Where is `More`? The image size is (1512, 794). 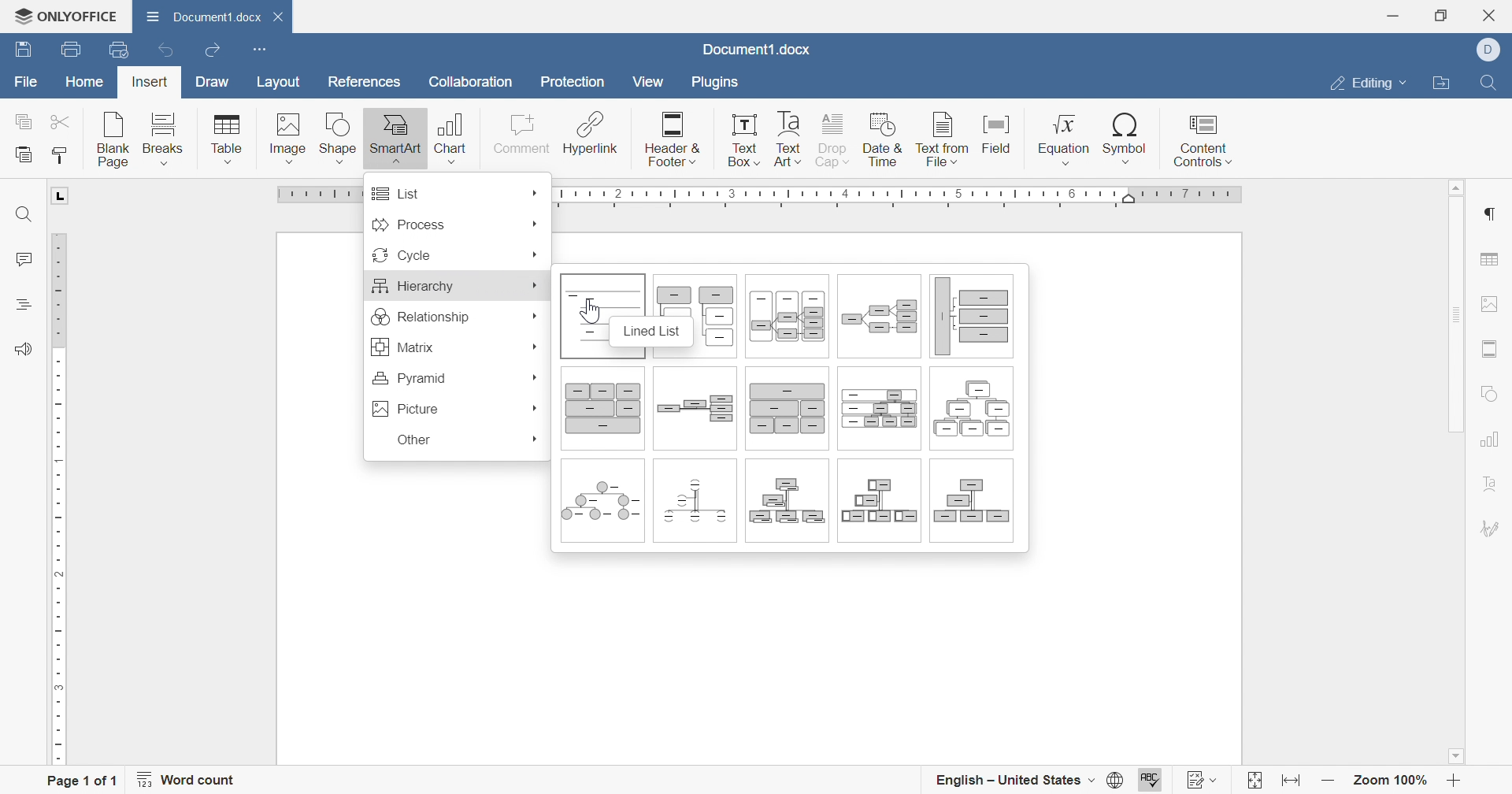 More is located at coordinates (532, 376).